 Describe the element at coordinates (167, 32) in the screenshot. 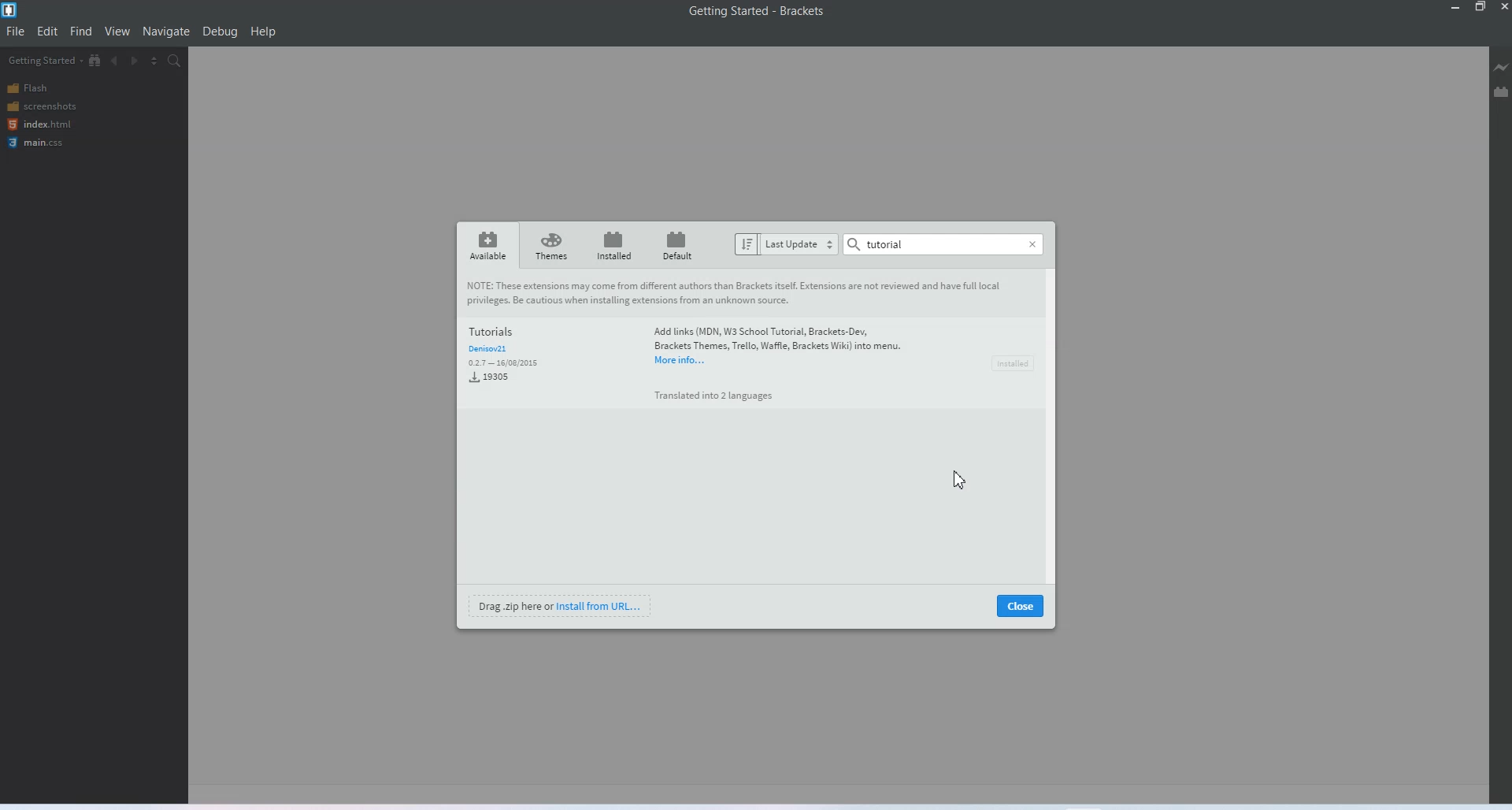

I see `Navigate` at that location.